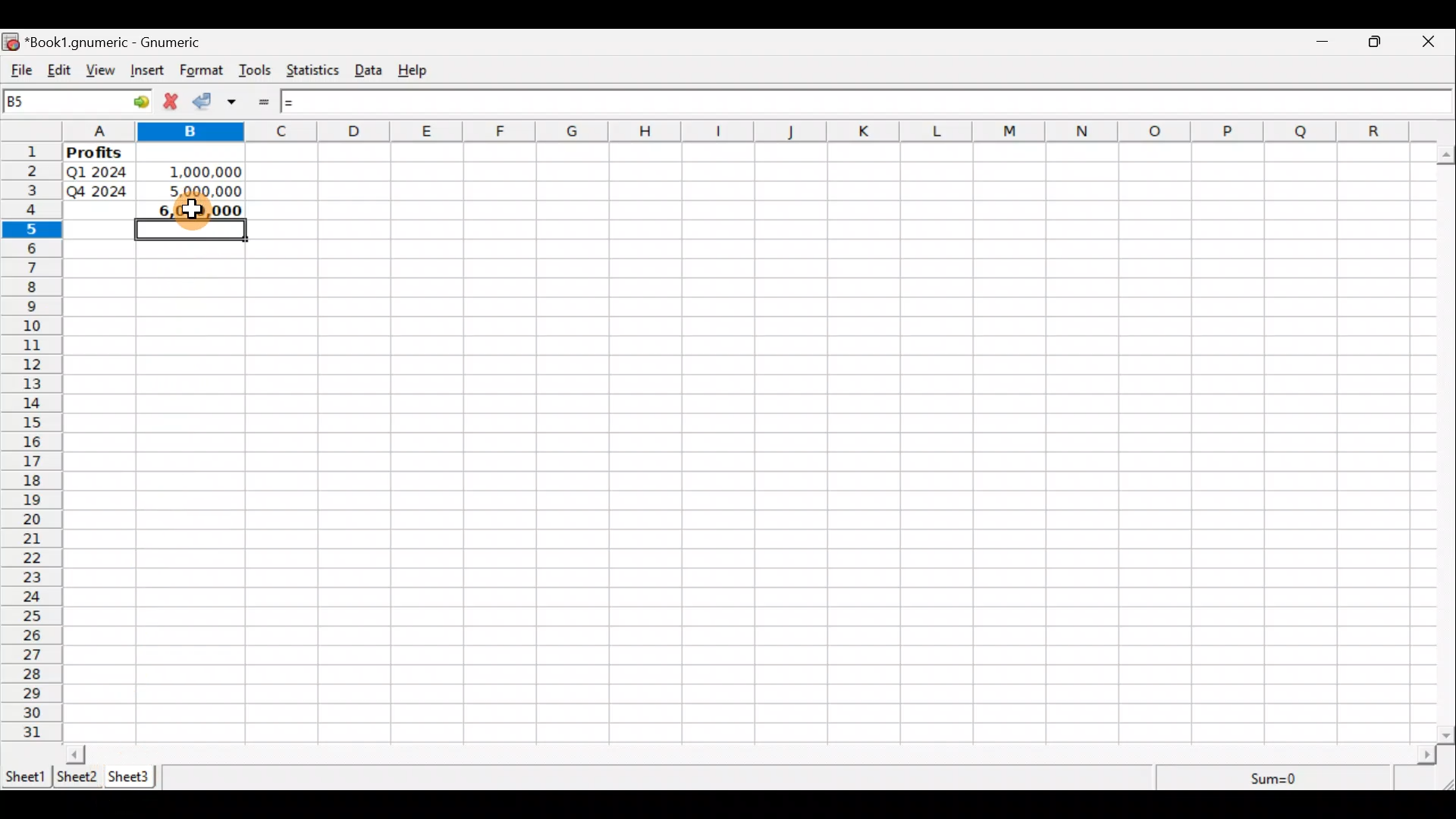 This screenshot has height=819, width=1456. I want to click on Minimize, so click(1323, 43).